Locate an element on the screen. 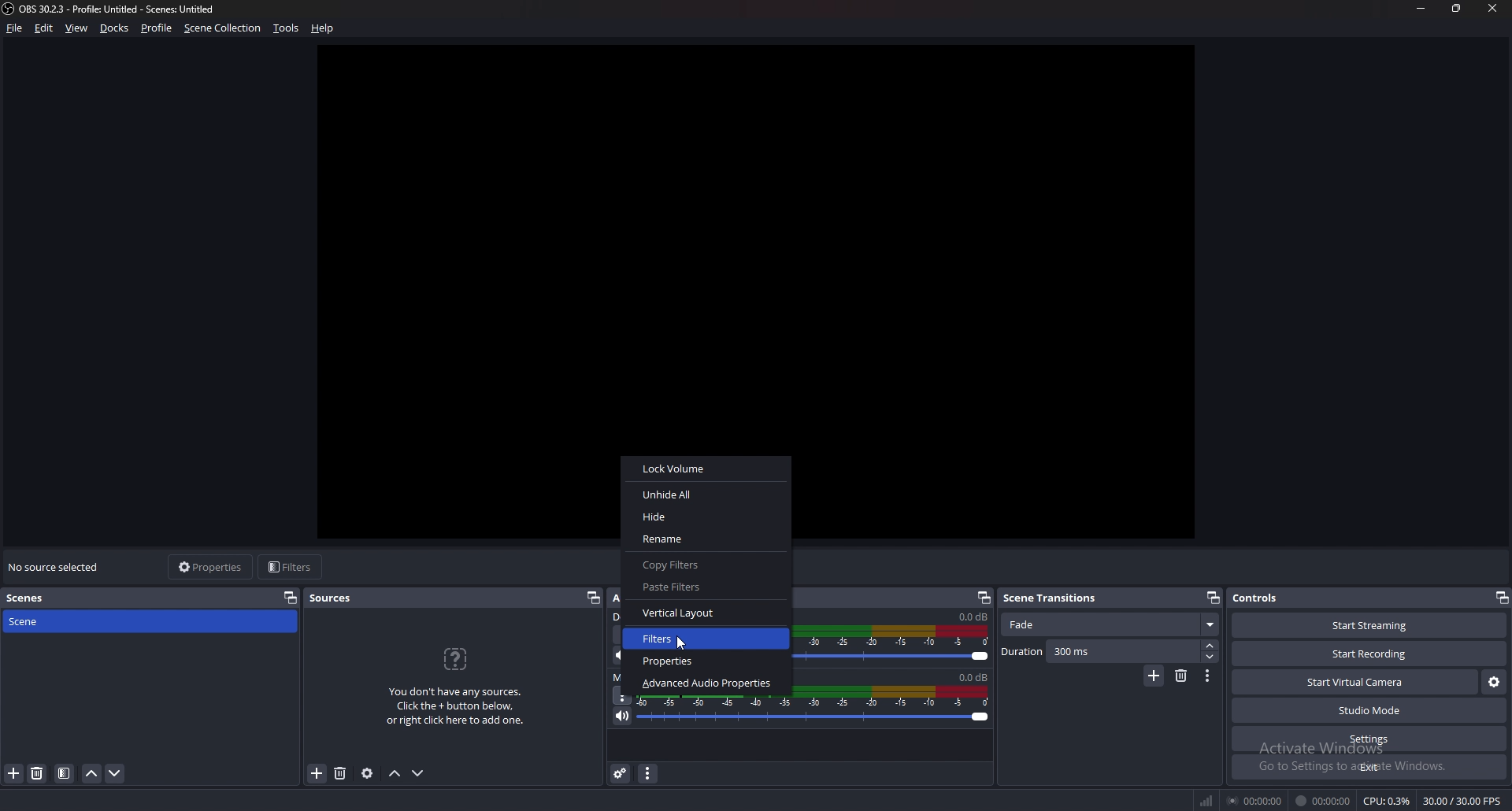 The height and width of the screenshot is (811, 1512). close is located at coordinates (1495, 9).